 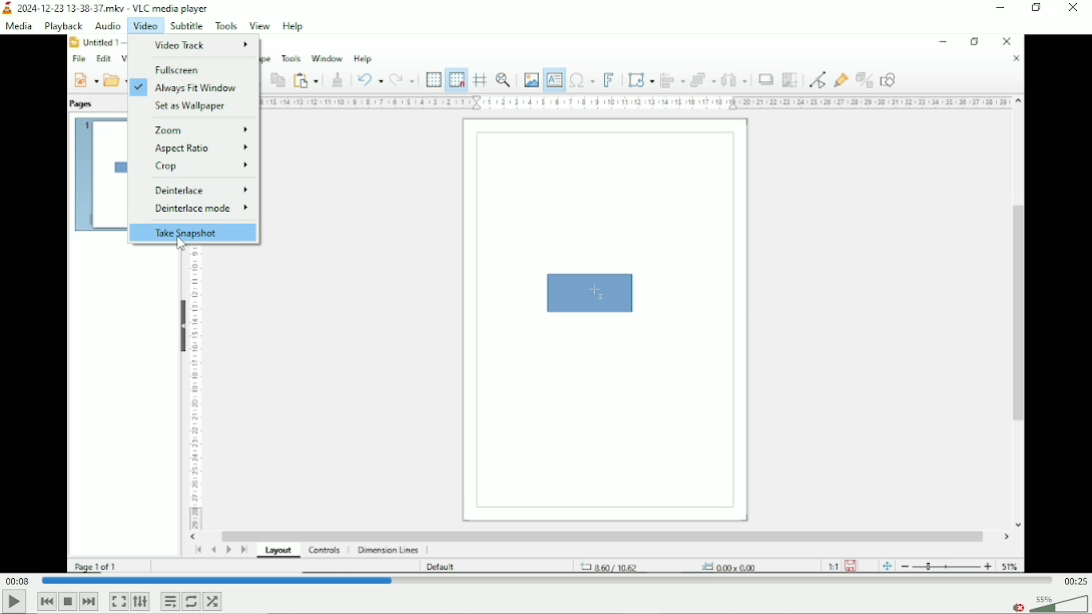 I want to click on Play duration, so click(x=547, y=581).